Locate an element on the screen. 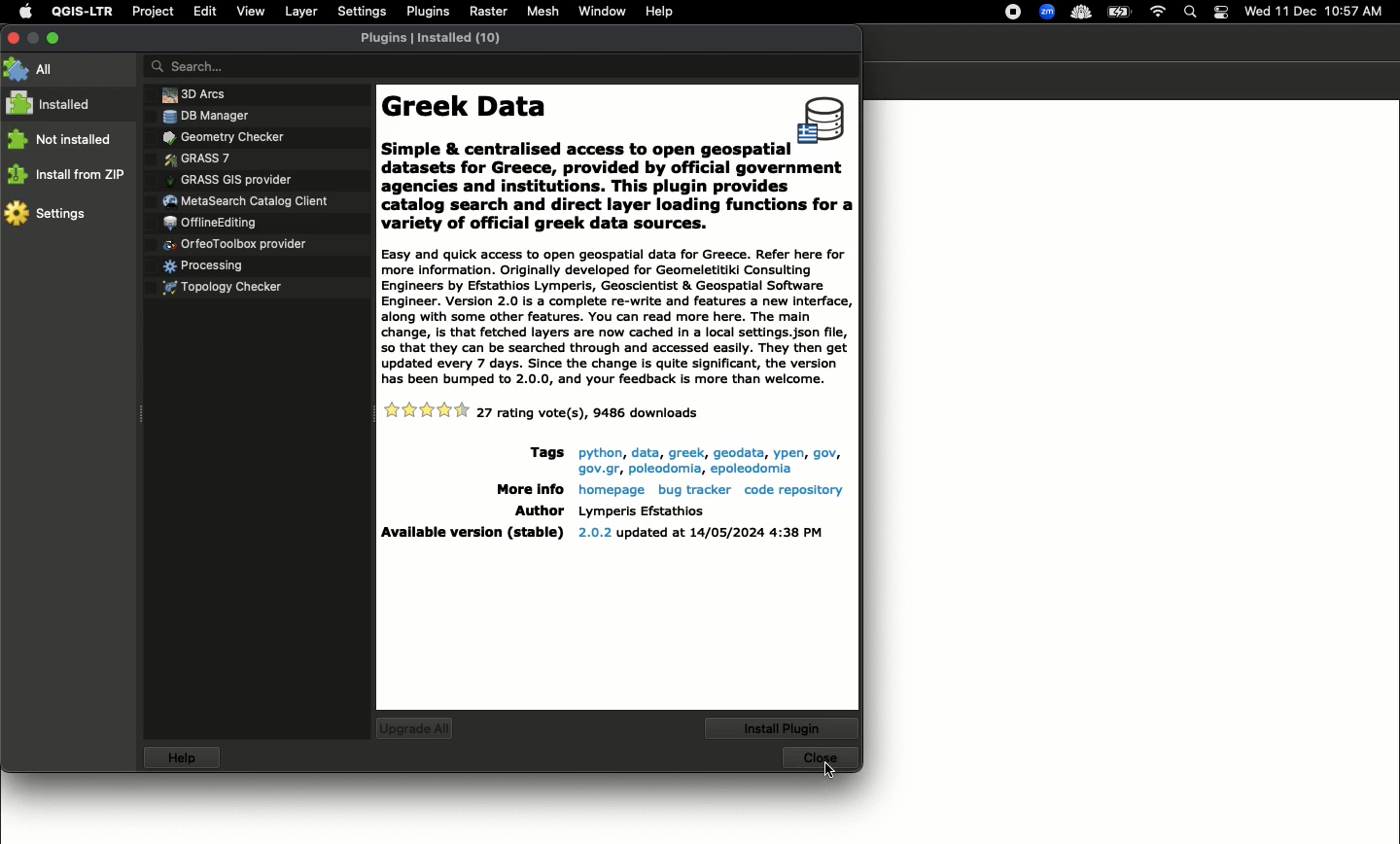 The image size is (1400, 844). Edit is located at coordinates (203, 11).